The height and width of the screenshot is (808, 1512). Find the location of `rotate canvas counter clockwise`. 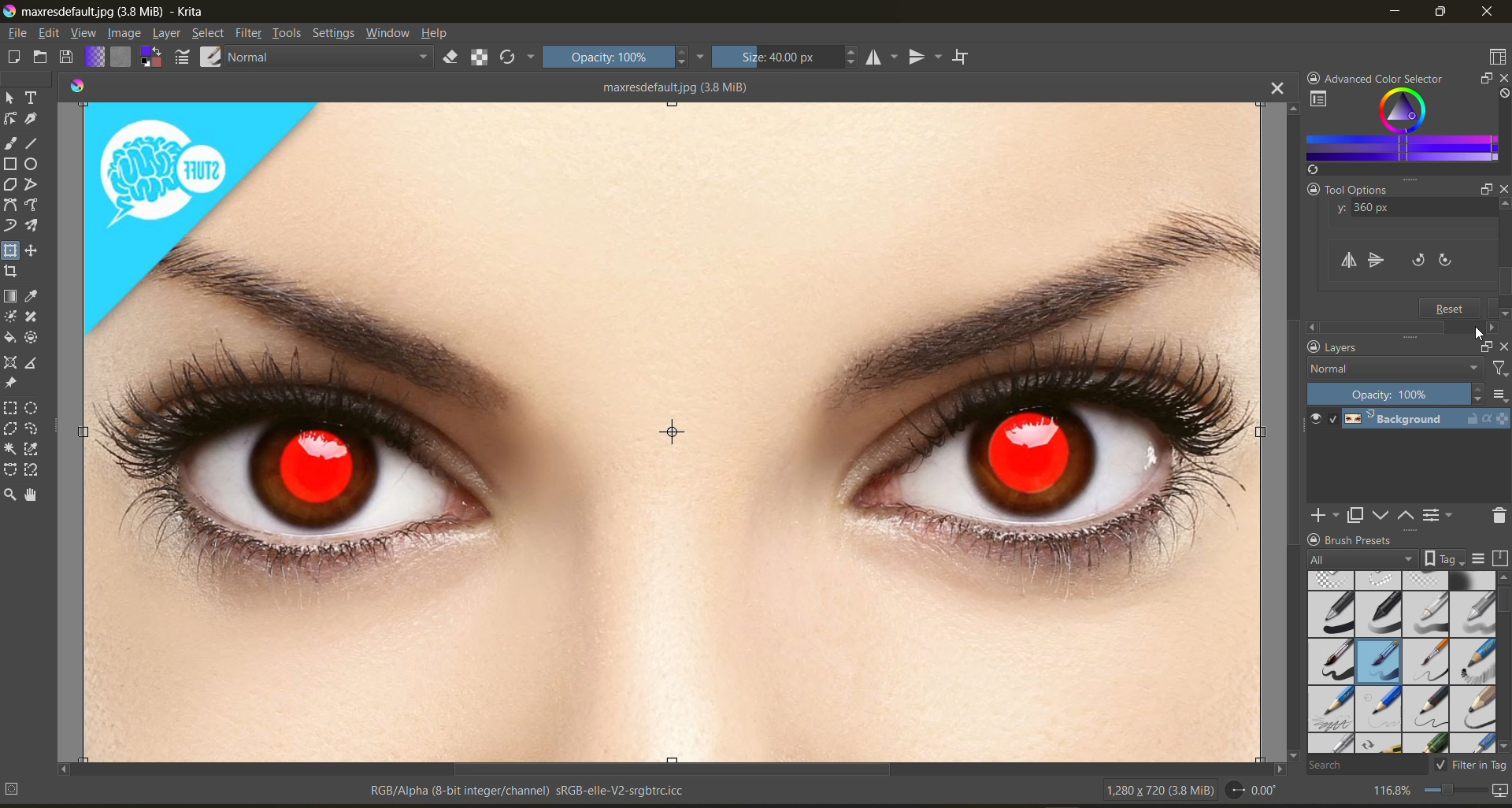

rotate canvas counter clockwise is located at coordinates (1416, 261).